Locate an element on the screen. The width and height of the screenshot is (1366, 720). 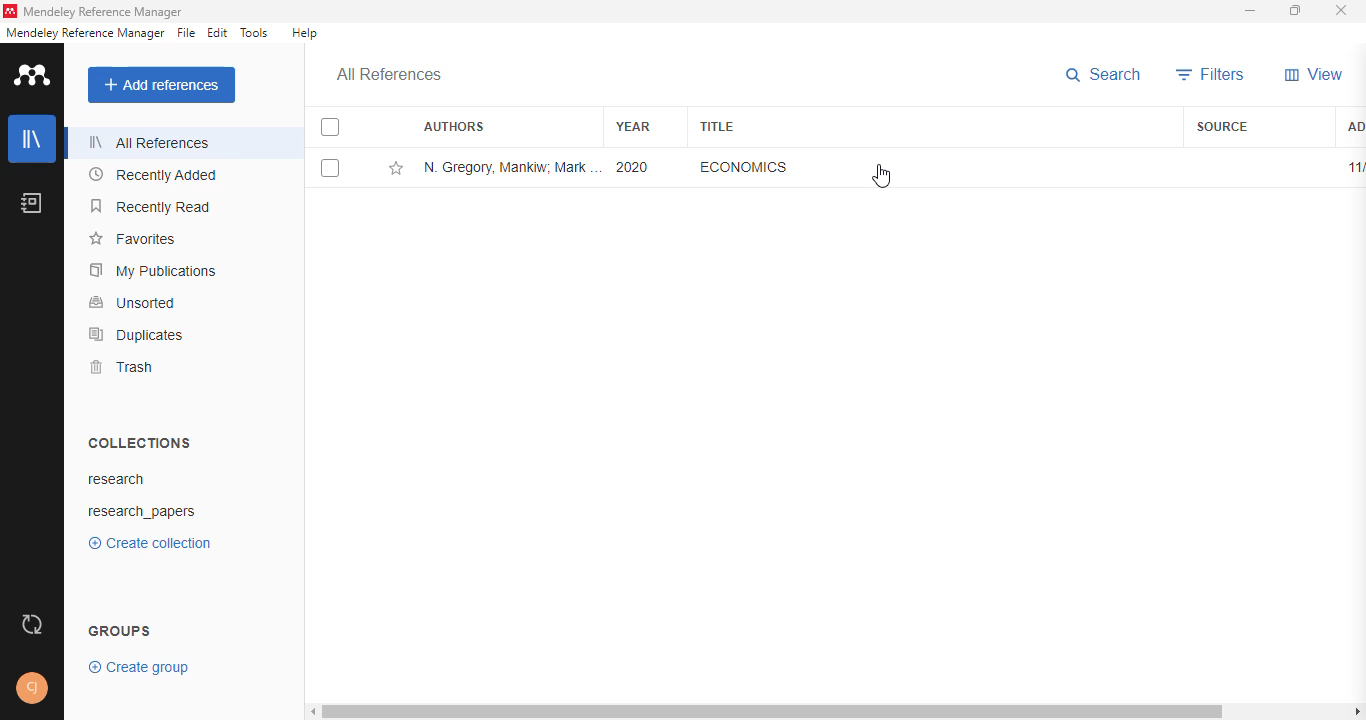
close is located at coordinates (1341, 10).